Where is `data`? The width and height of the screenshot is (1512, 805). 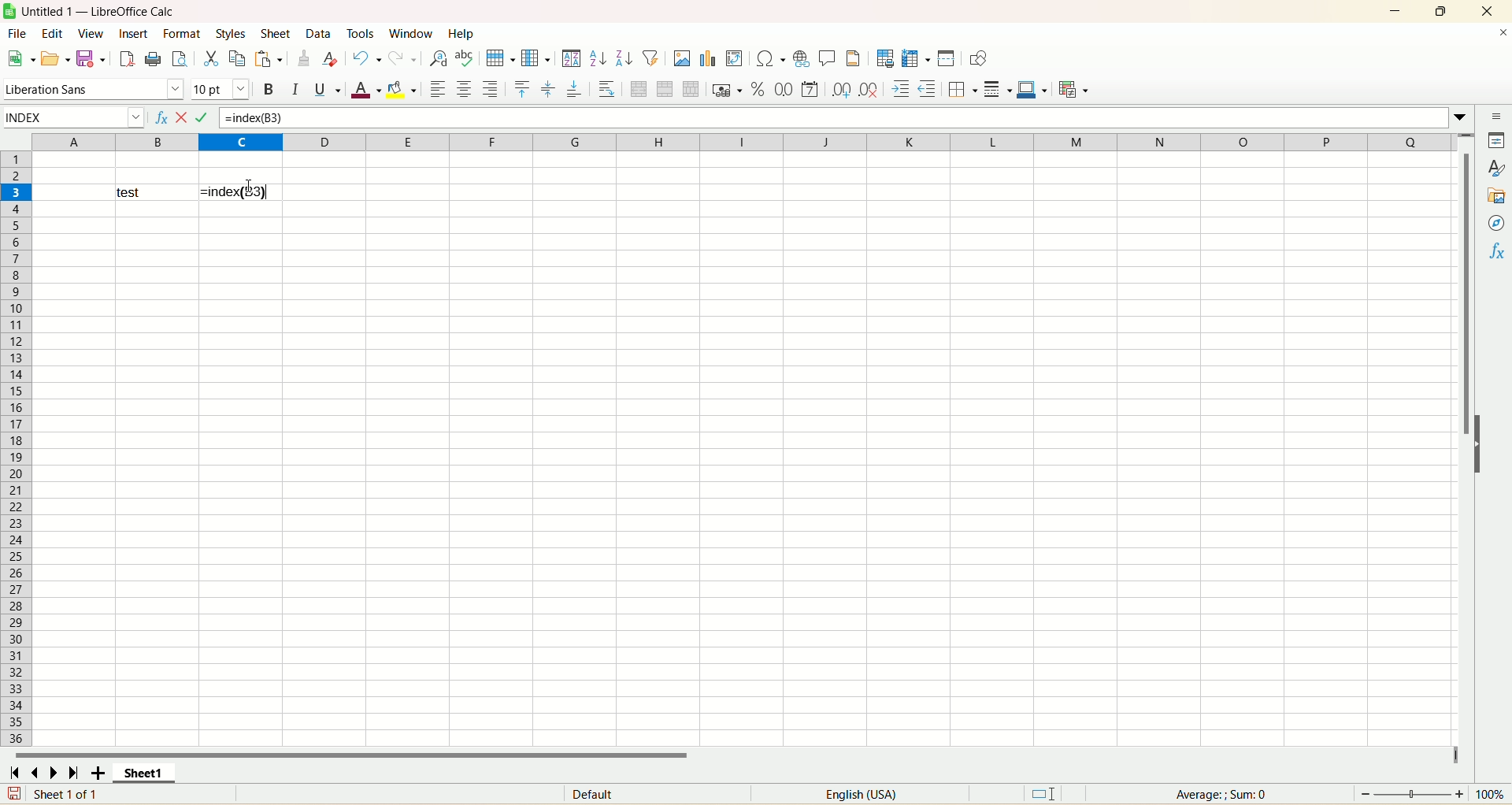
data is located at coordinates (320, 33).